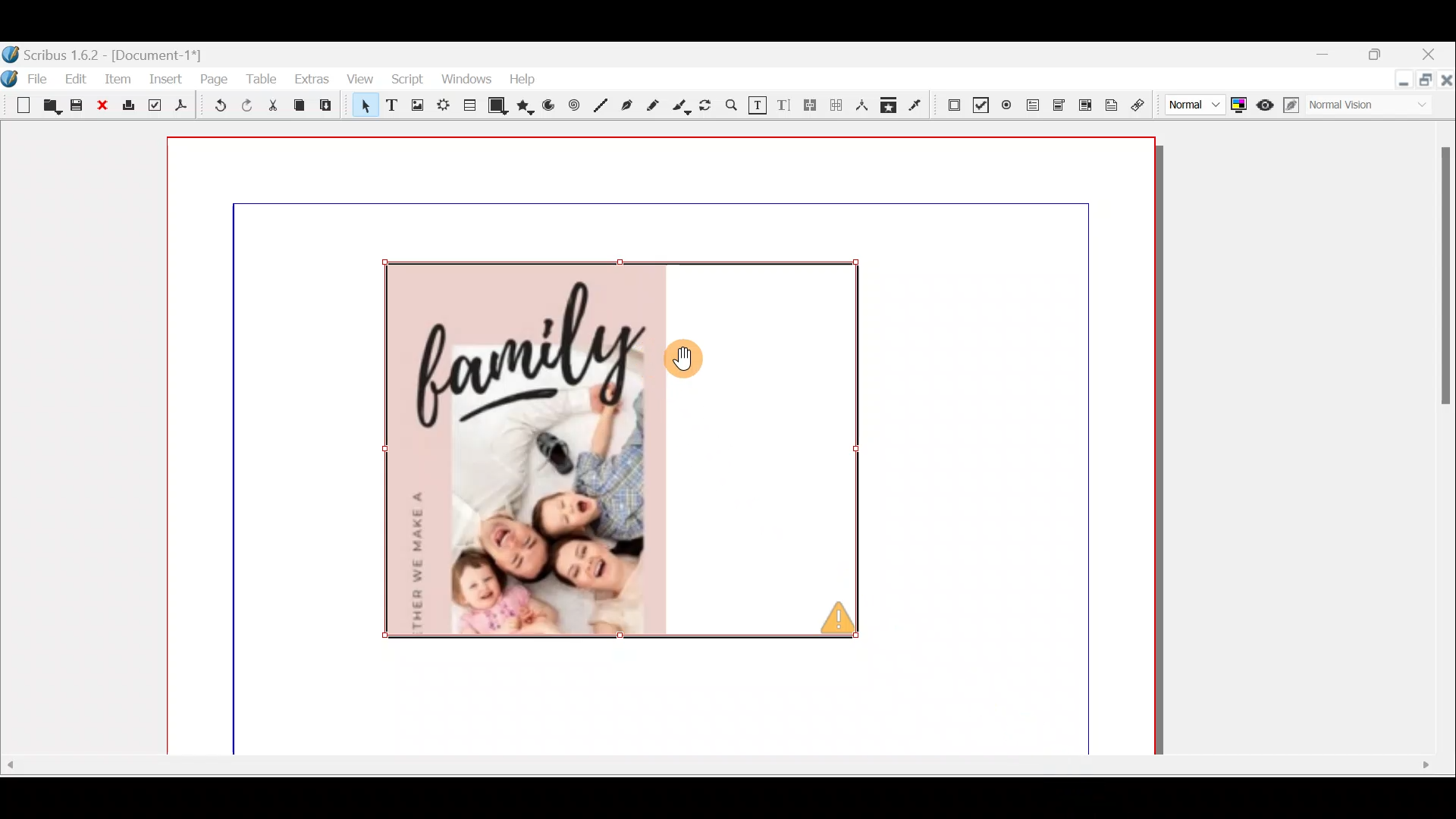 The height and width of the screenshot is (819, 1456). Describe the element at coordinates (1445, 441) in the screenshot. I see `Scroll bar` at that location.